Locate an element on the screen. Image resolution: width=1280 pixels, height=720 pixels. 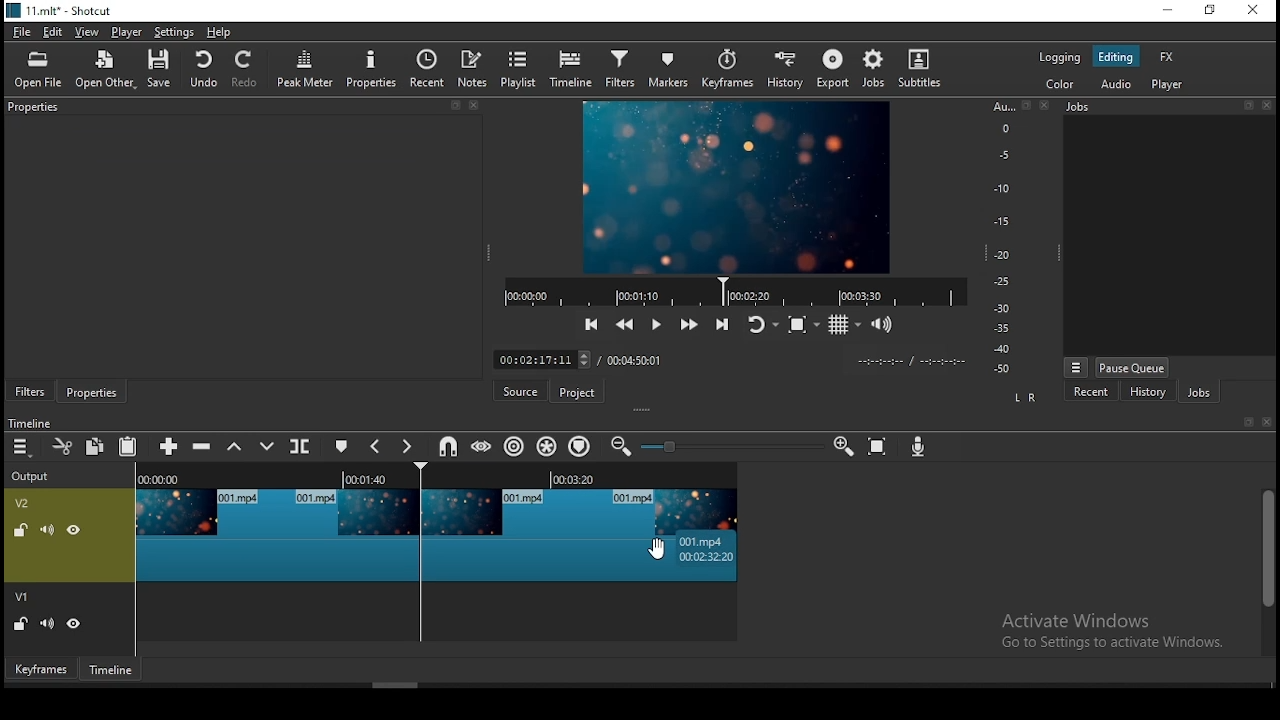
CURRENT INPUT TIME is located at coordinates (541, 359).